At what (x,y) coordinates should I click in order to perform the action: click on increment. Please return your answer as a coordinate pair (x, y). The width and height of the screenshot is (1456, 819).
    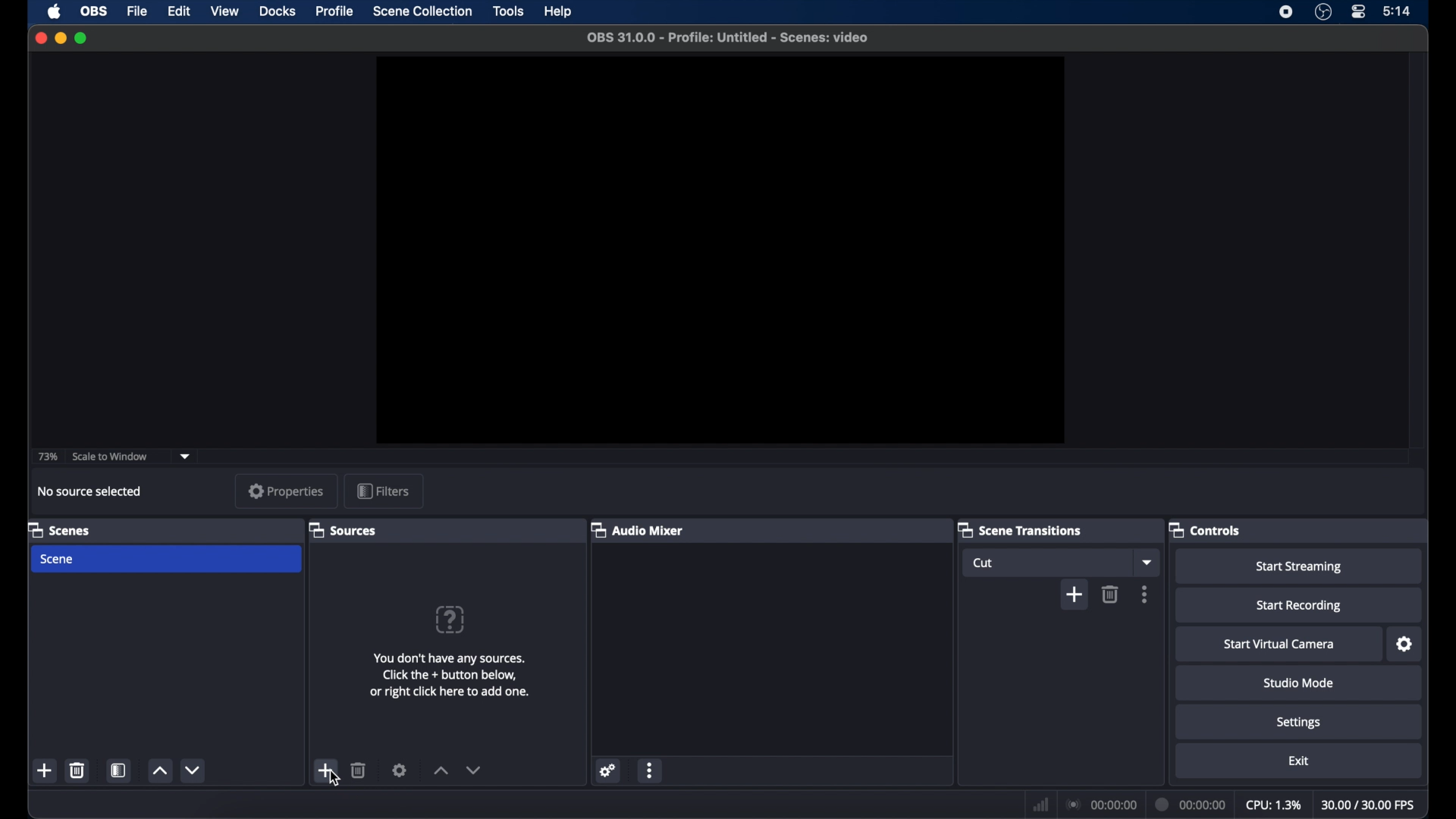
    Looking at the image, I should click on (161, 771).